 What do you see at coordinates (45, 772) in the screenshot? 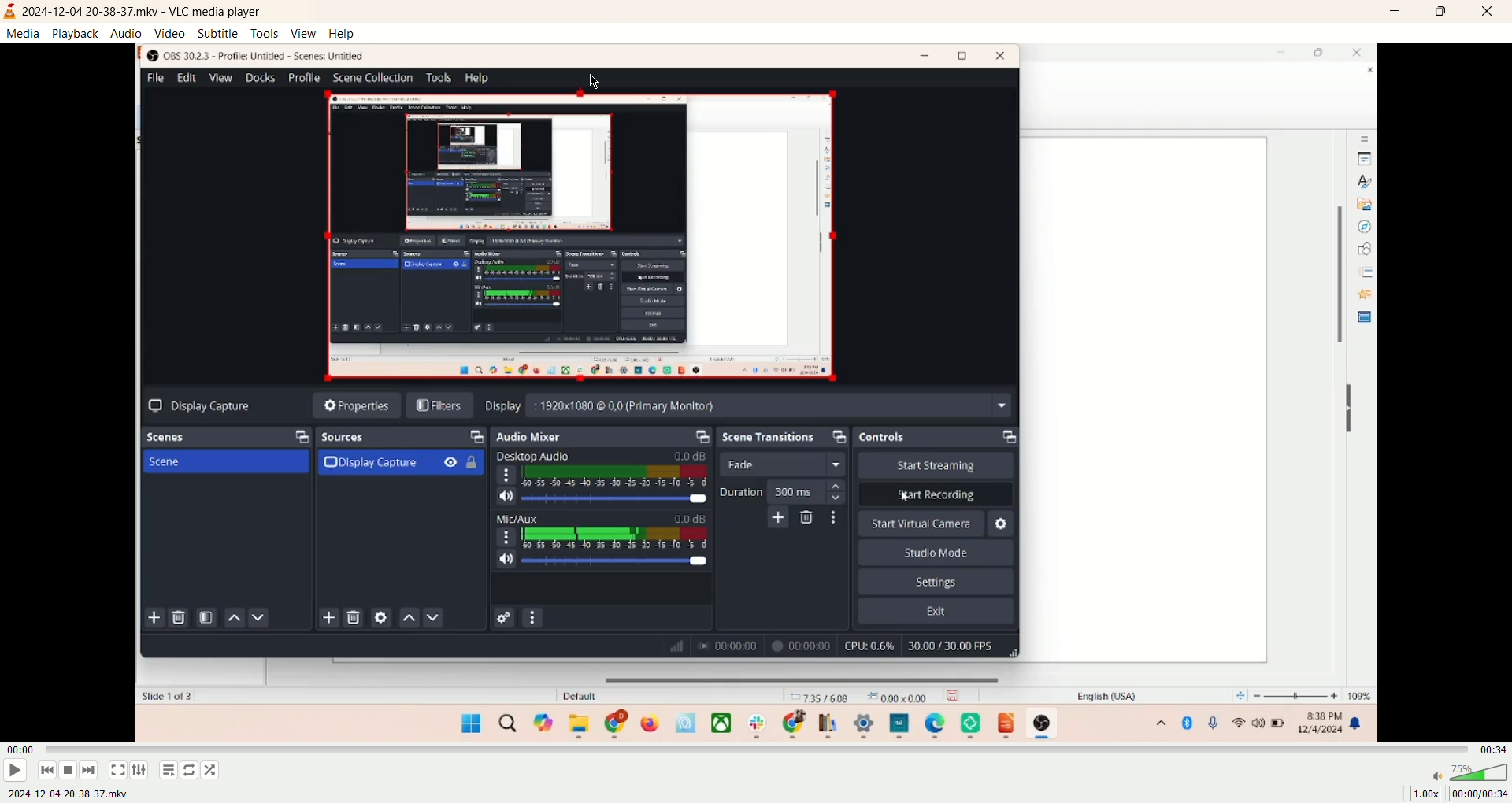
I see `previous` at bounding box center [45, 772].